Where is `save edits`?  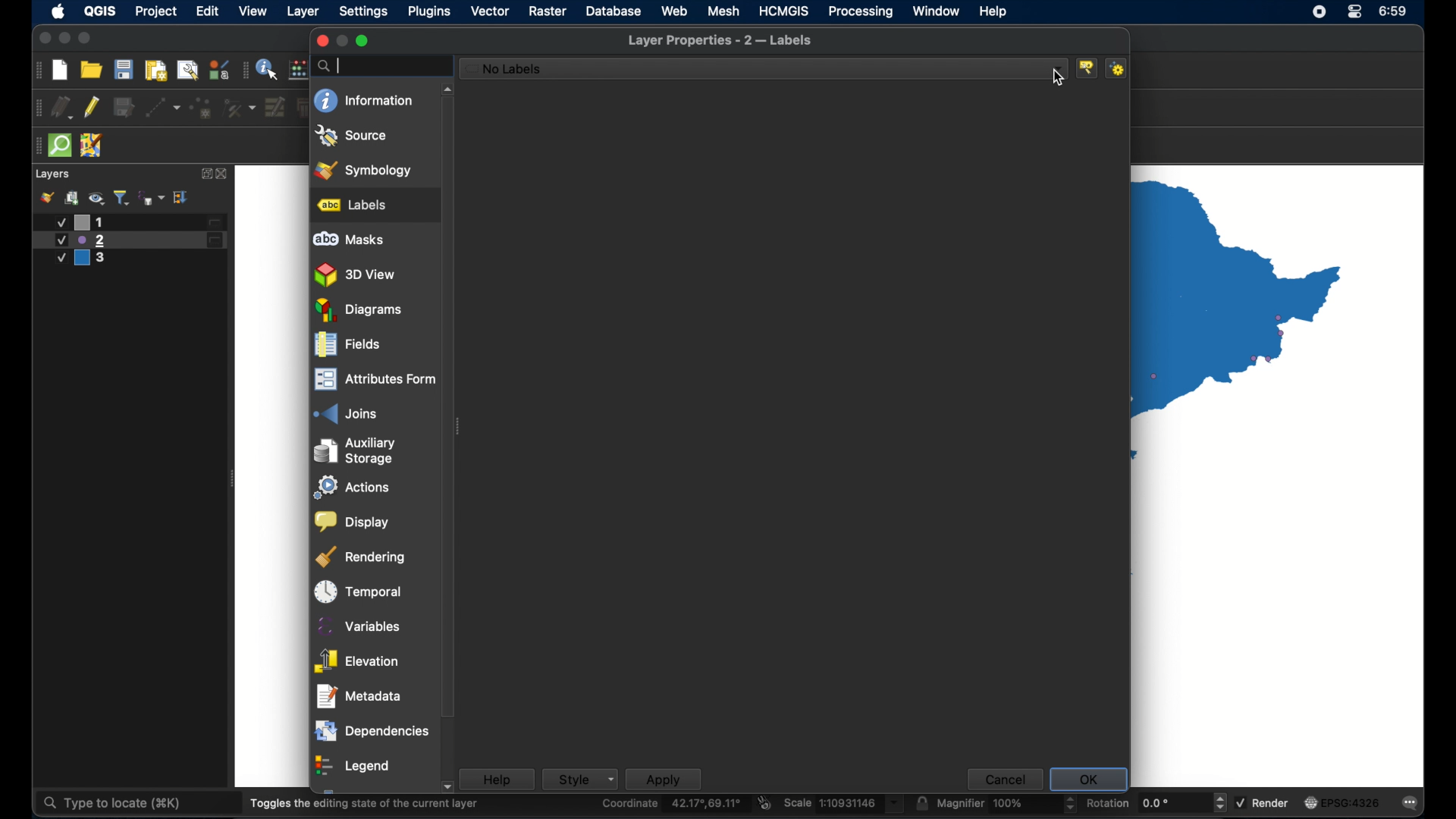
save edits is located at coordinates (124, 107).